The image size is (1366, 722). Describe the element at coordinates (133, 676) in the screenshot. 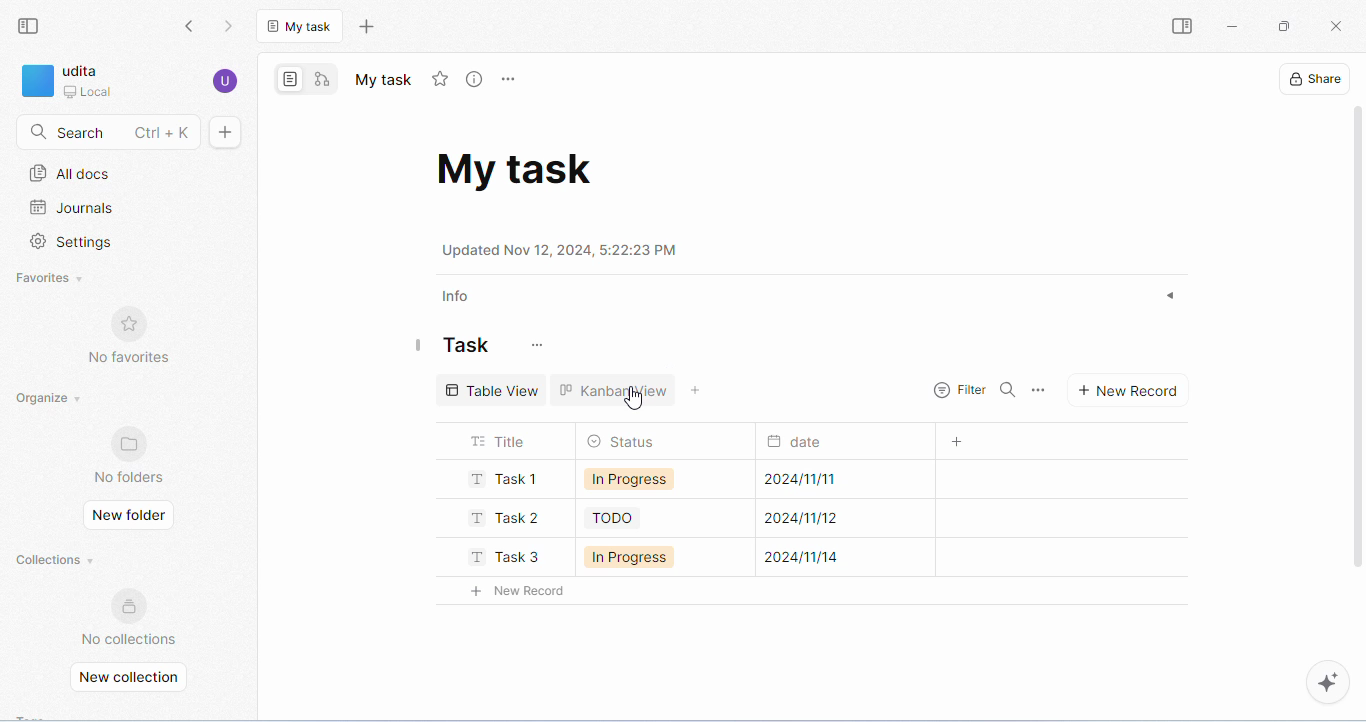

I see `new collection` at that location.